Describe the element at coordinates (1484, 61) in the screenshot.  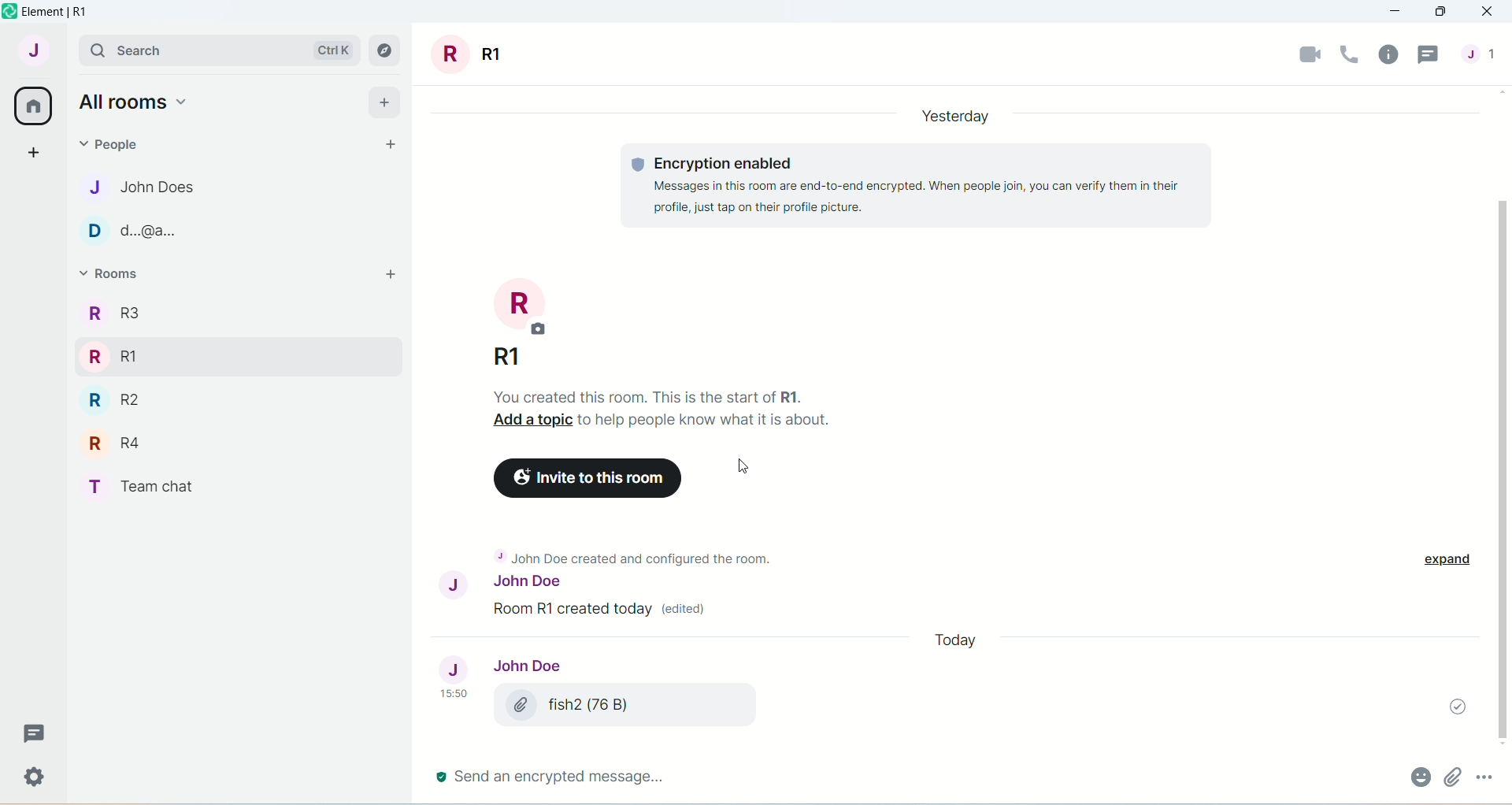
I see `people` at that location.